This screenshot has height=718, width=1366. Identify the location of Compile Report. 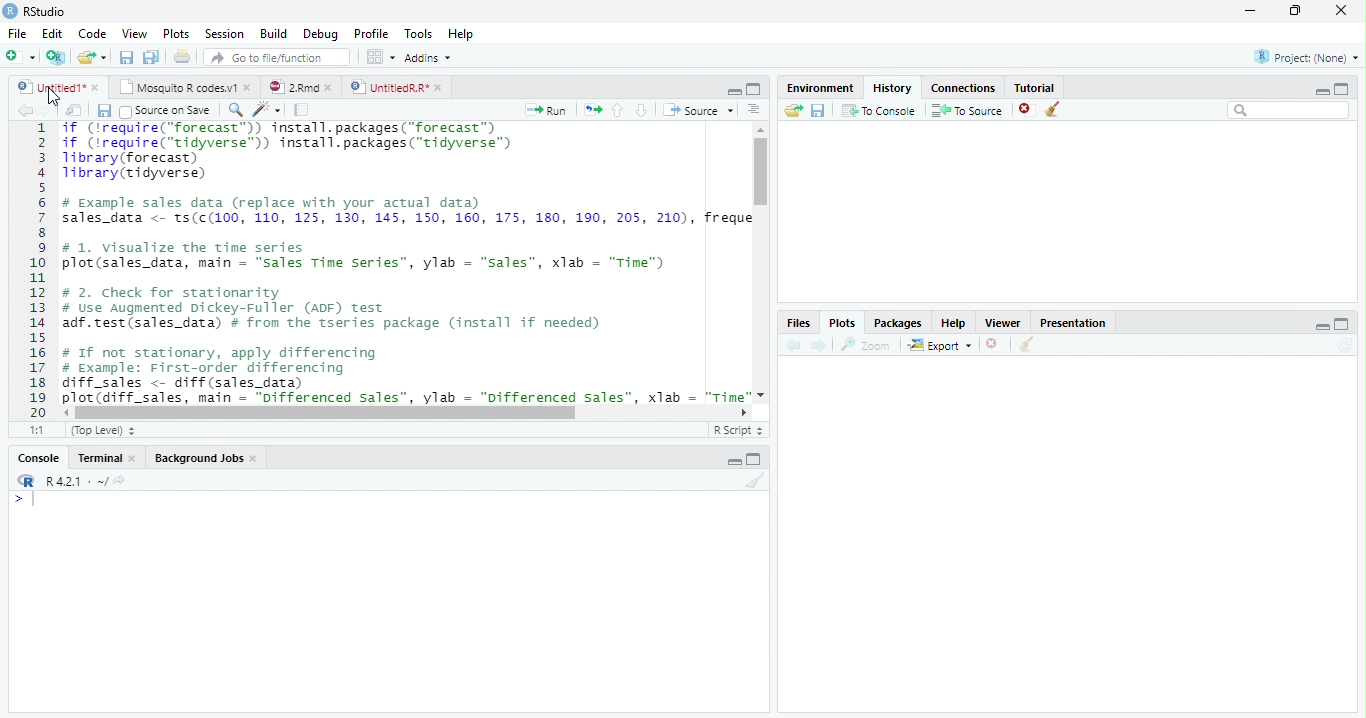
(303, 109).